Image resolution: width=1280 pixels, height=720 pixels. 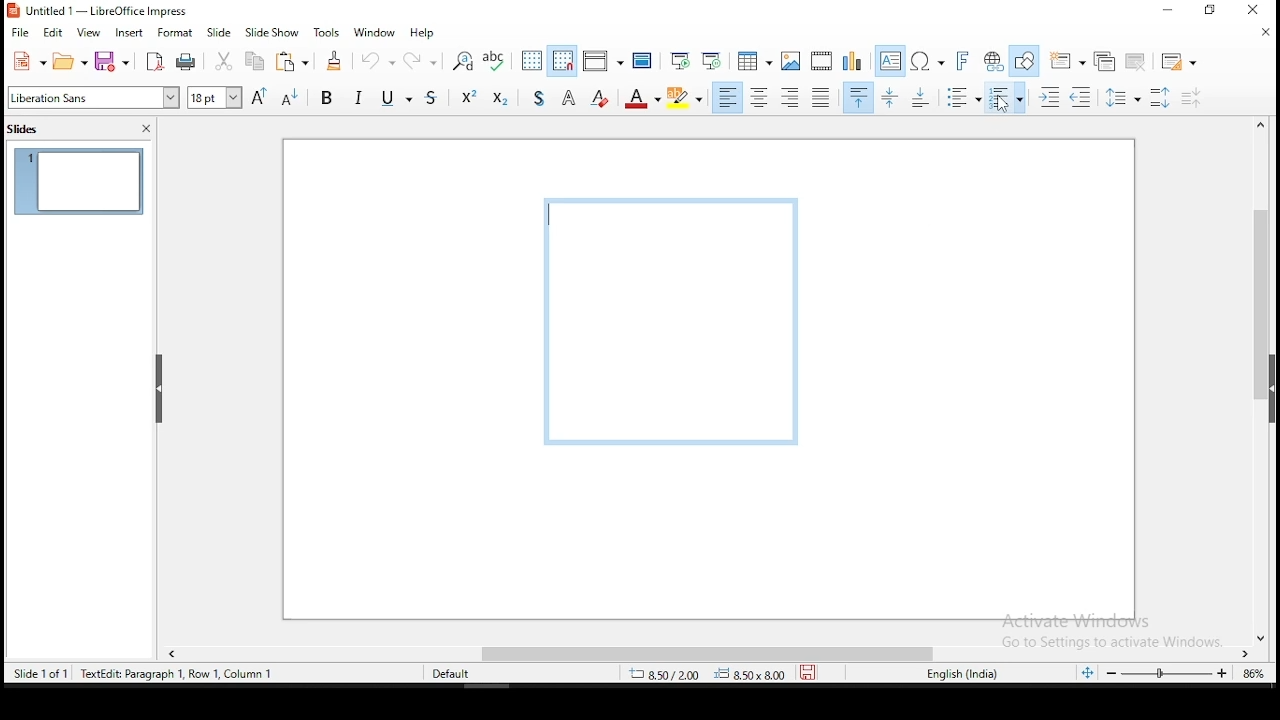 What do you see at coordinates (760, 98) in the screenshot?
I see `align center` at bounding box center [760, 98].